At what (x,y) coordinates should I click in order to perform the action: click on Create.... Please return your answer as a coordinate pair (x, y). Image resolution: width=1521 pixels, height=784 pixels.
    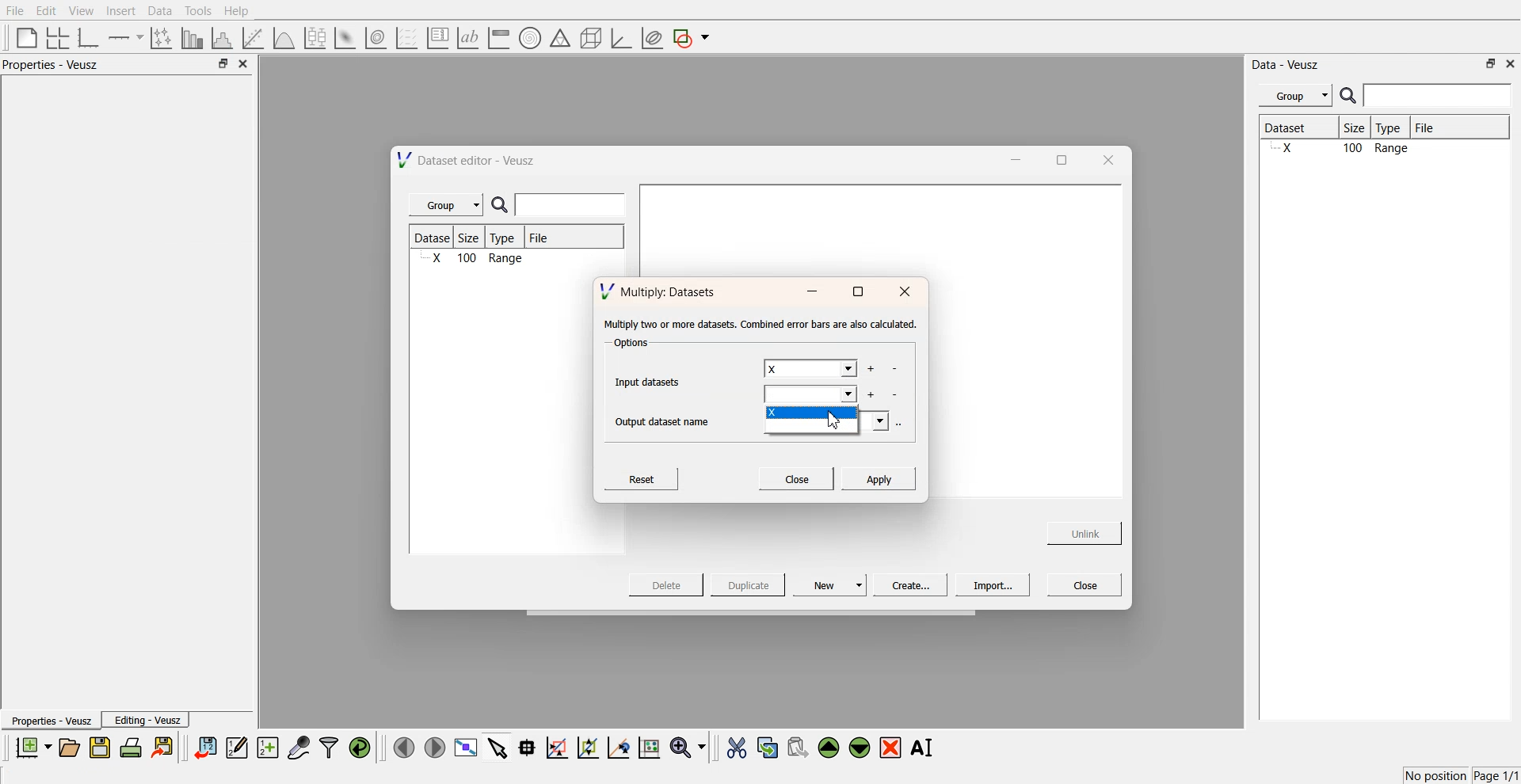
    Looking at the image, I should click on (908, 584).